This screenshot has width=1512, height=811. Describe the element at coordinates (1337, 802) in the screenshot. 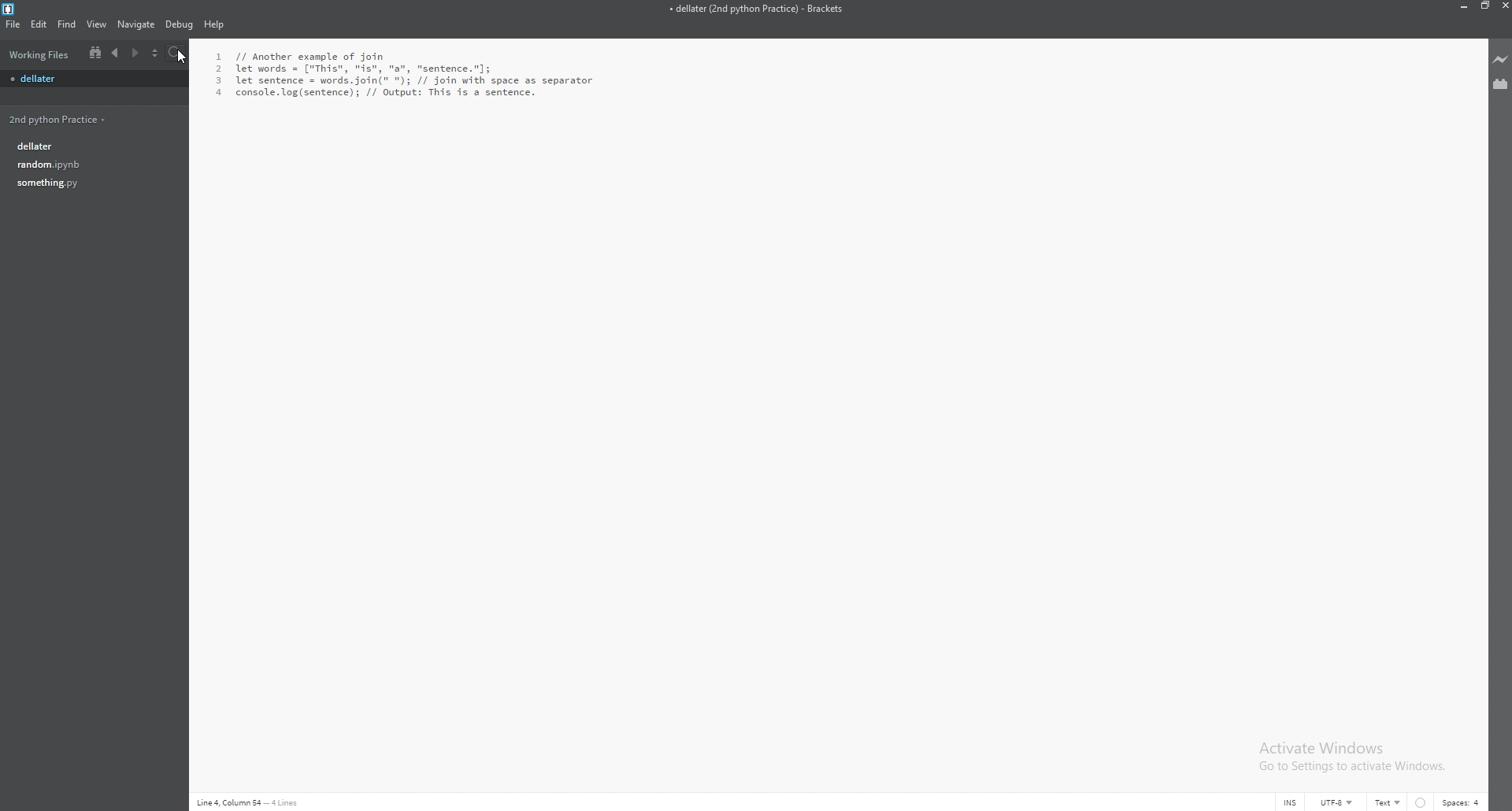

I see `encoding` at that location.